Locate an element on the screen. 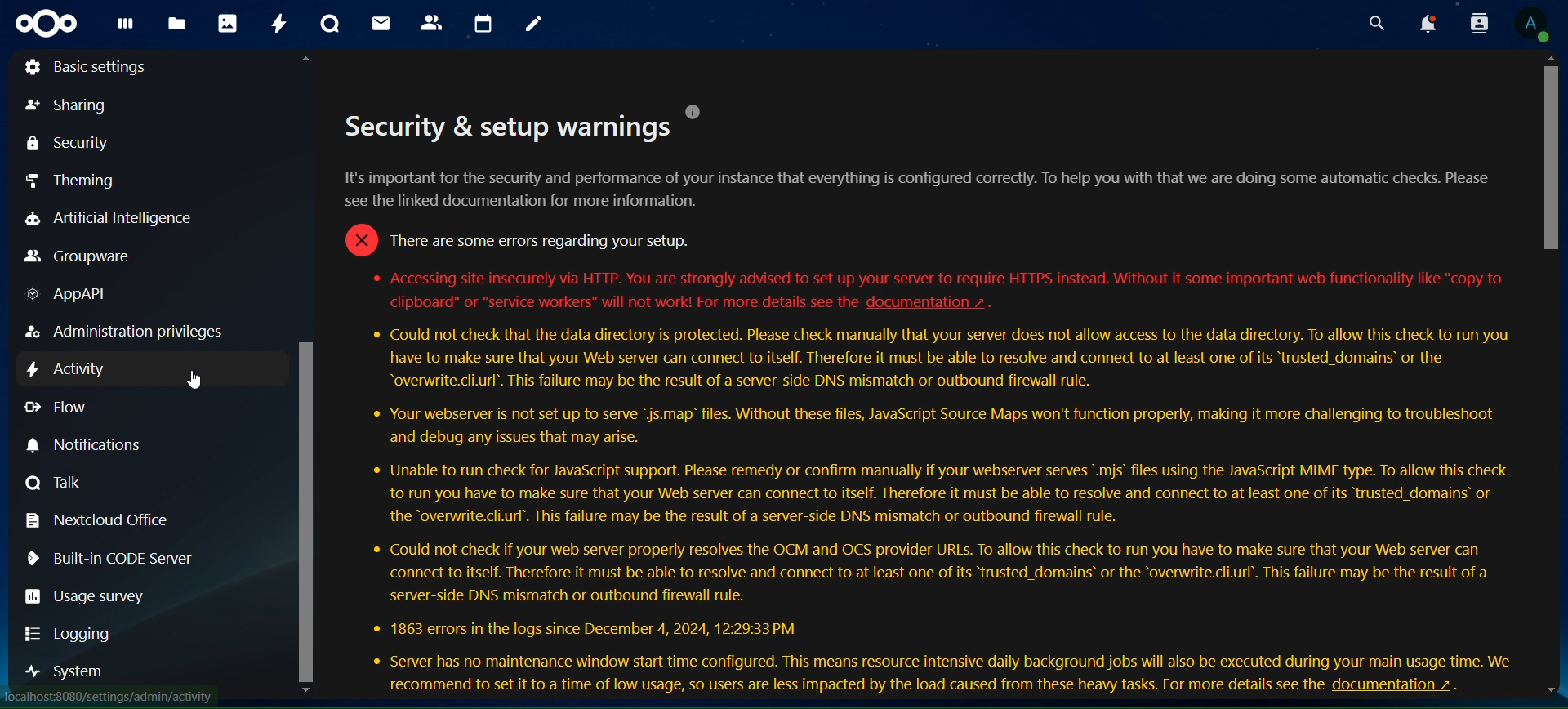  security is located at coordinates (65, 140).